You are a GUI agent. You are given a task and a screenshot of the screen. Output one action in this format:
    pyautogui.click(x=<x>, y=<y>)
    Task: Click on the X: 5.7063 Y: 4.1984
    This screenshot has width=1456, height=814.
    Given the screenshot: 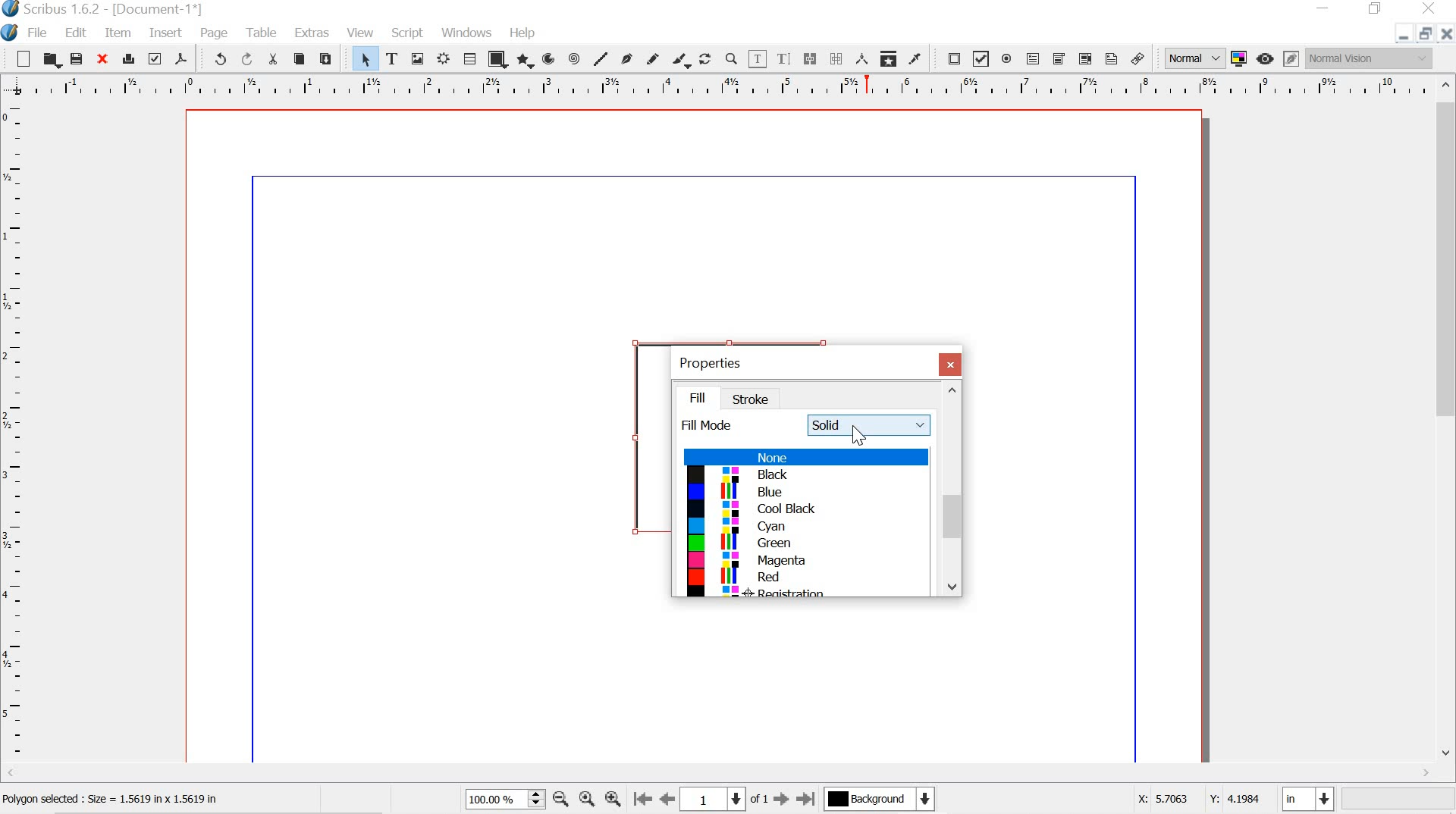 What is the action you would take?
    pyautogui.click(x=1189, y=801)
    